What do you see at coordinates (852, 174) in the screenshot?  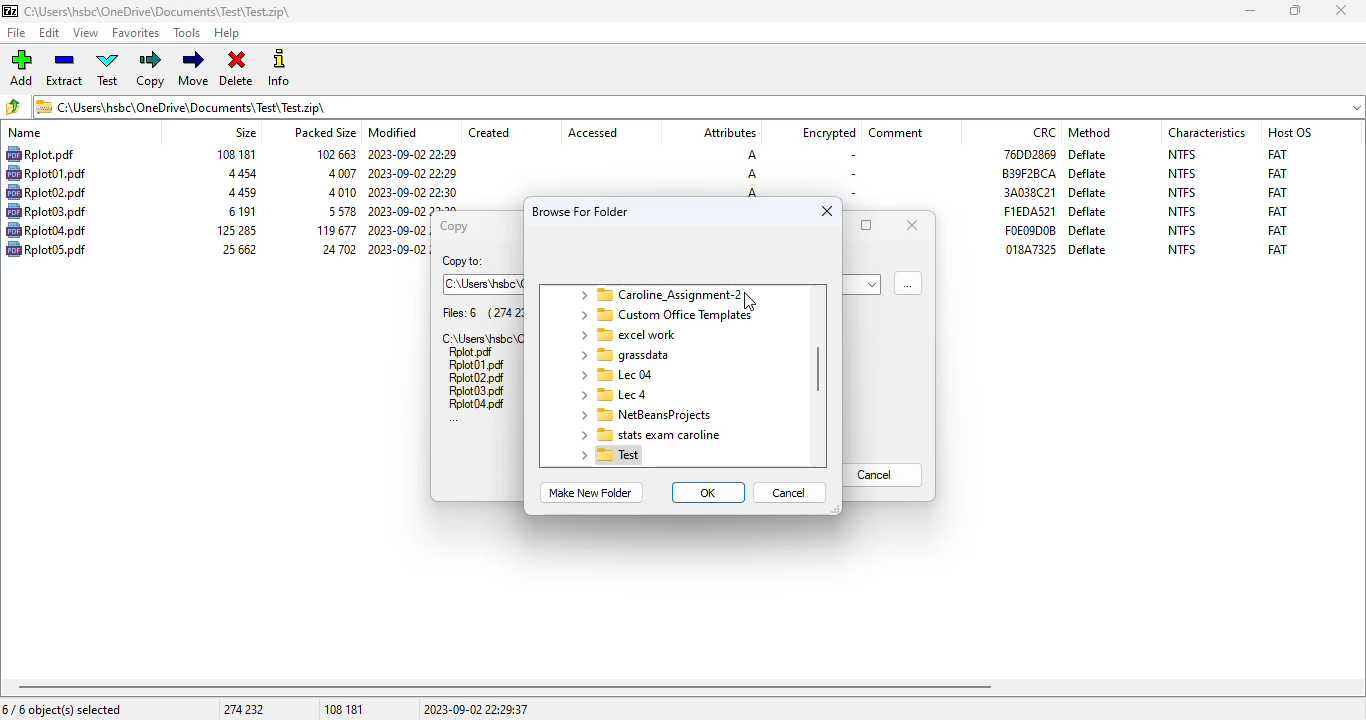 I see `-` at bounding box center [852, 174].